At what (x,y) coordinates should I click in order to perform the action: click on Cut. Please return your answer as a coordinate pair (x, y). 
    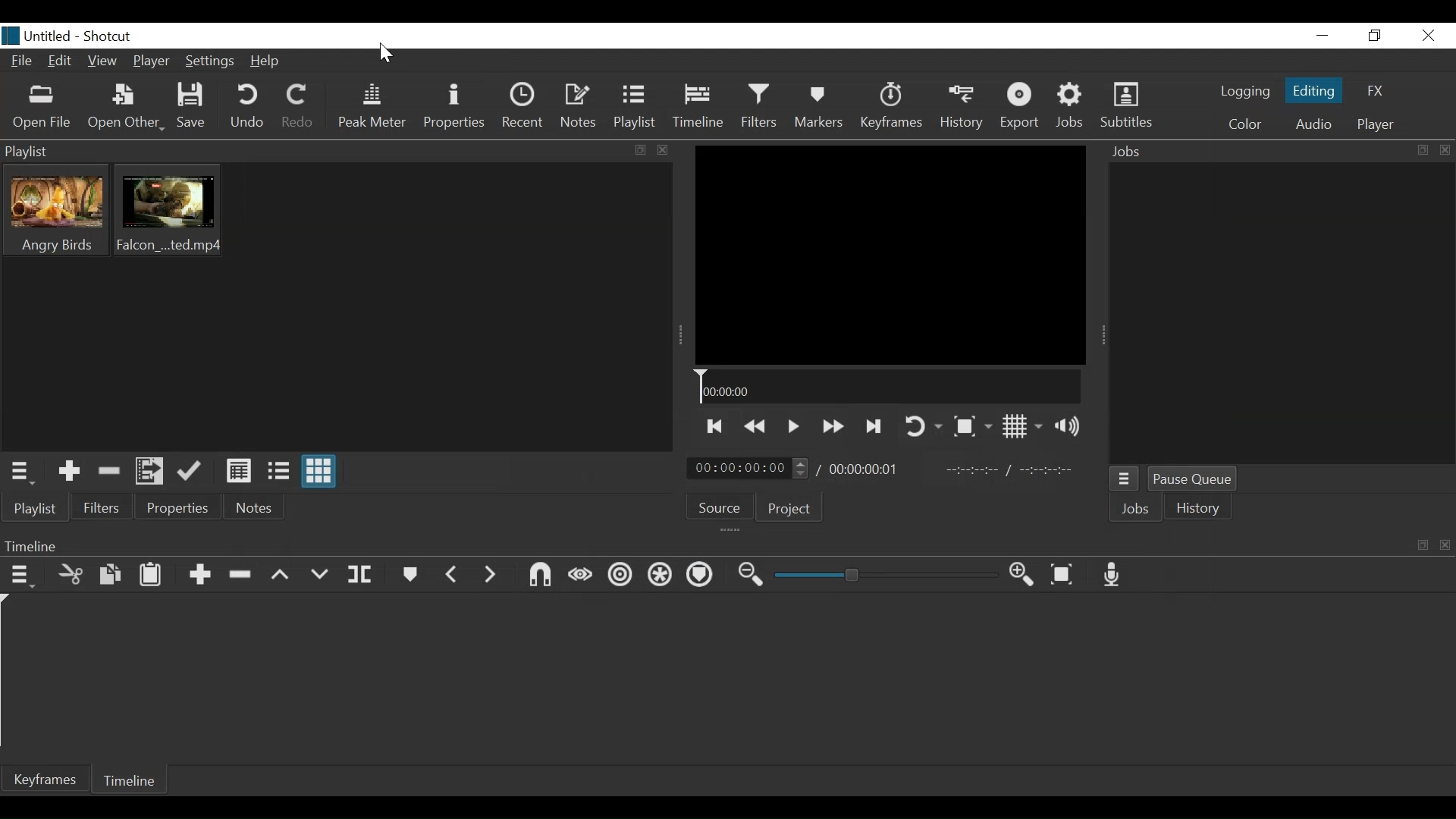
    Looking at the image, I should click on (71, 573).